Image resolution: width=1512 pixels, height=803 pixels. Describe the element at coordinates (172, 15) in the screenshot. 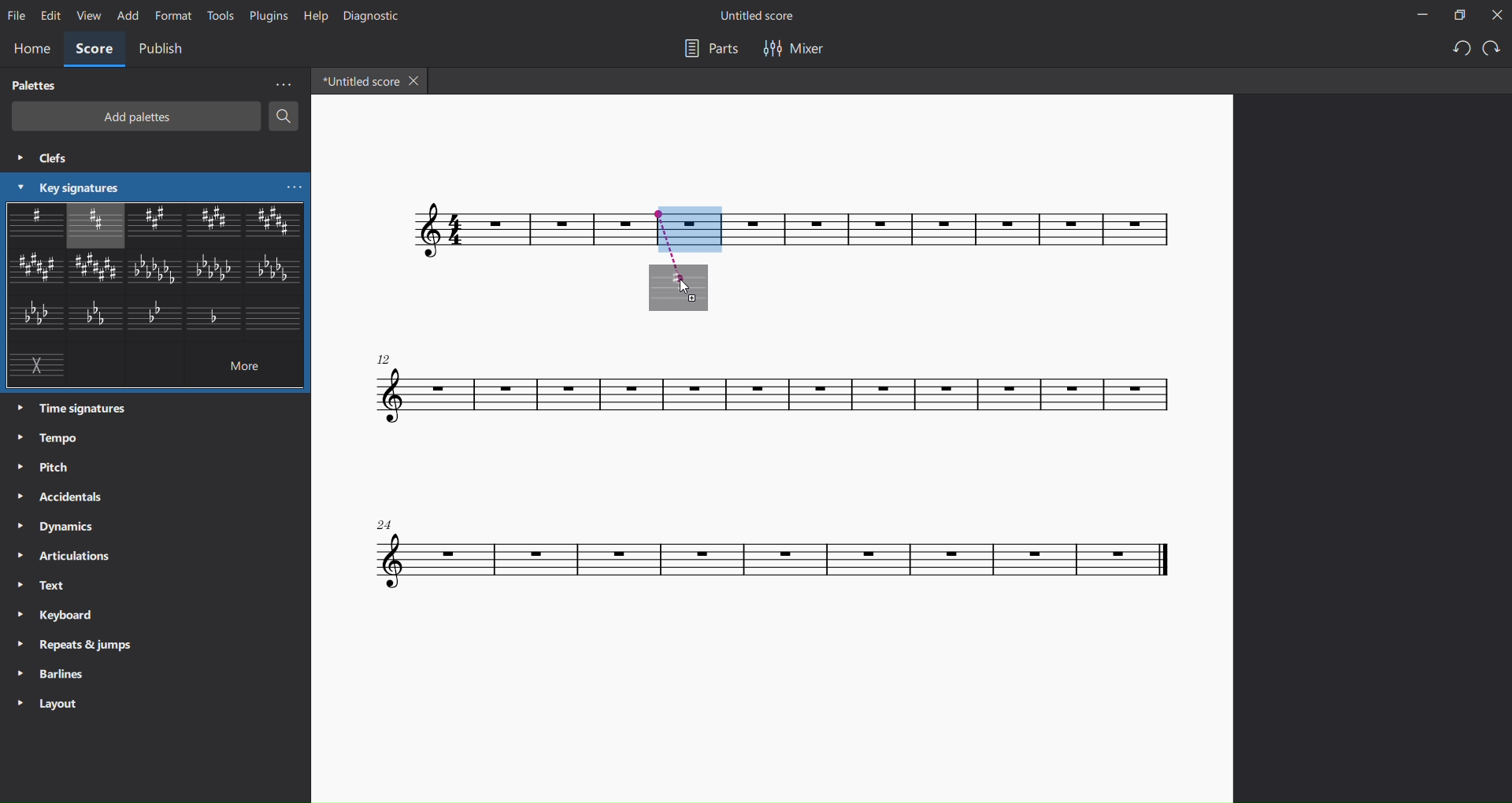

I see `format` at that location.